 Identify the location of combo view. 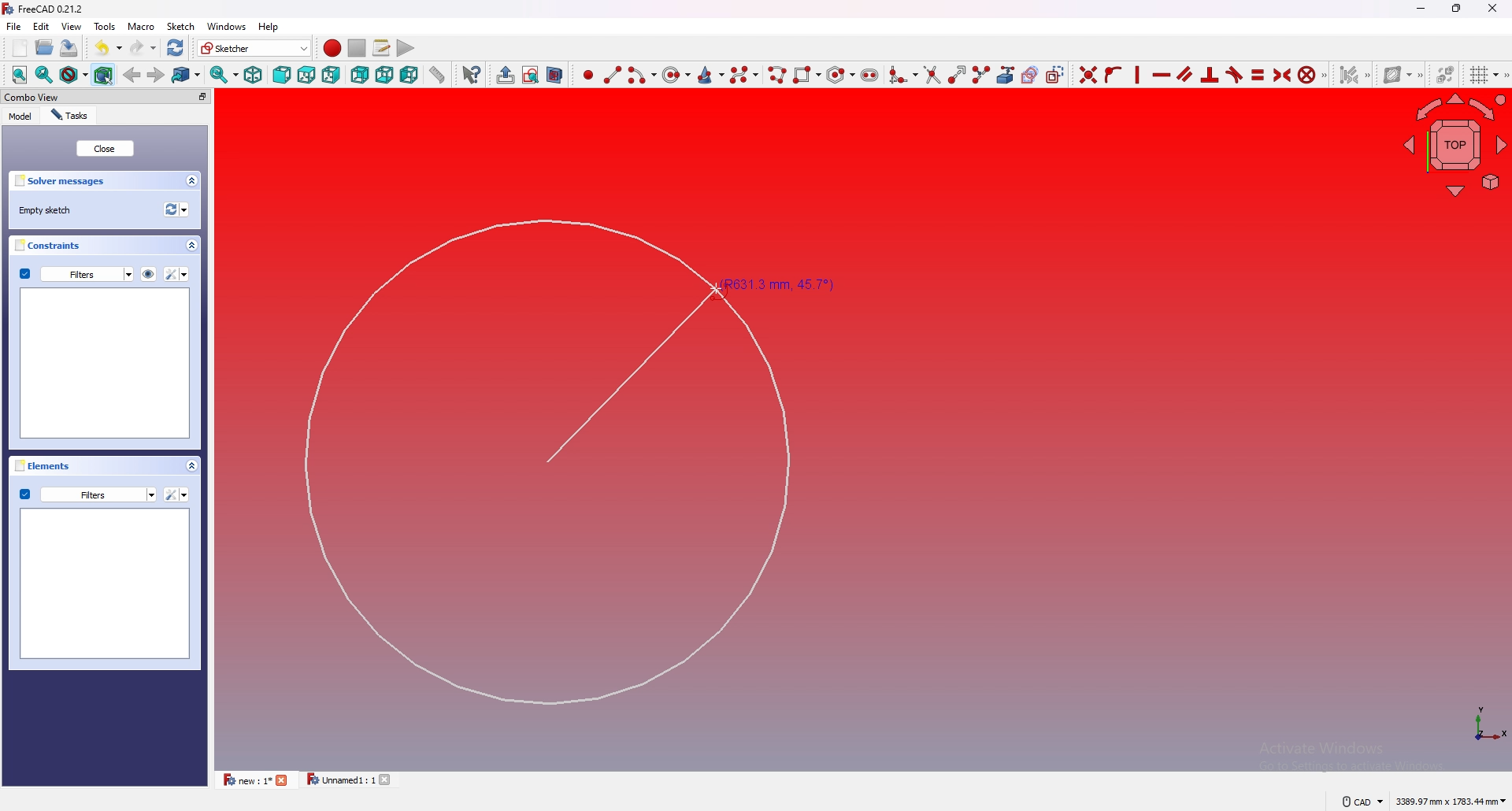
(69, 97).